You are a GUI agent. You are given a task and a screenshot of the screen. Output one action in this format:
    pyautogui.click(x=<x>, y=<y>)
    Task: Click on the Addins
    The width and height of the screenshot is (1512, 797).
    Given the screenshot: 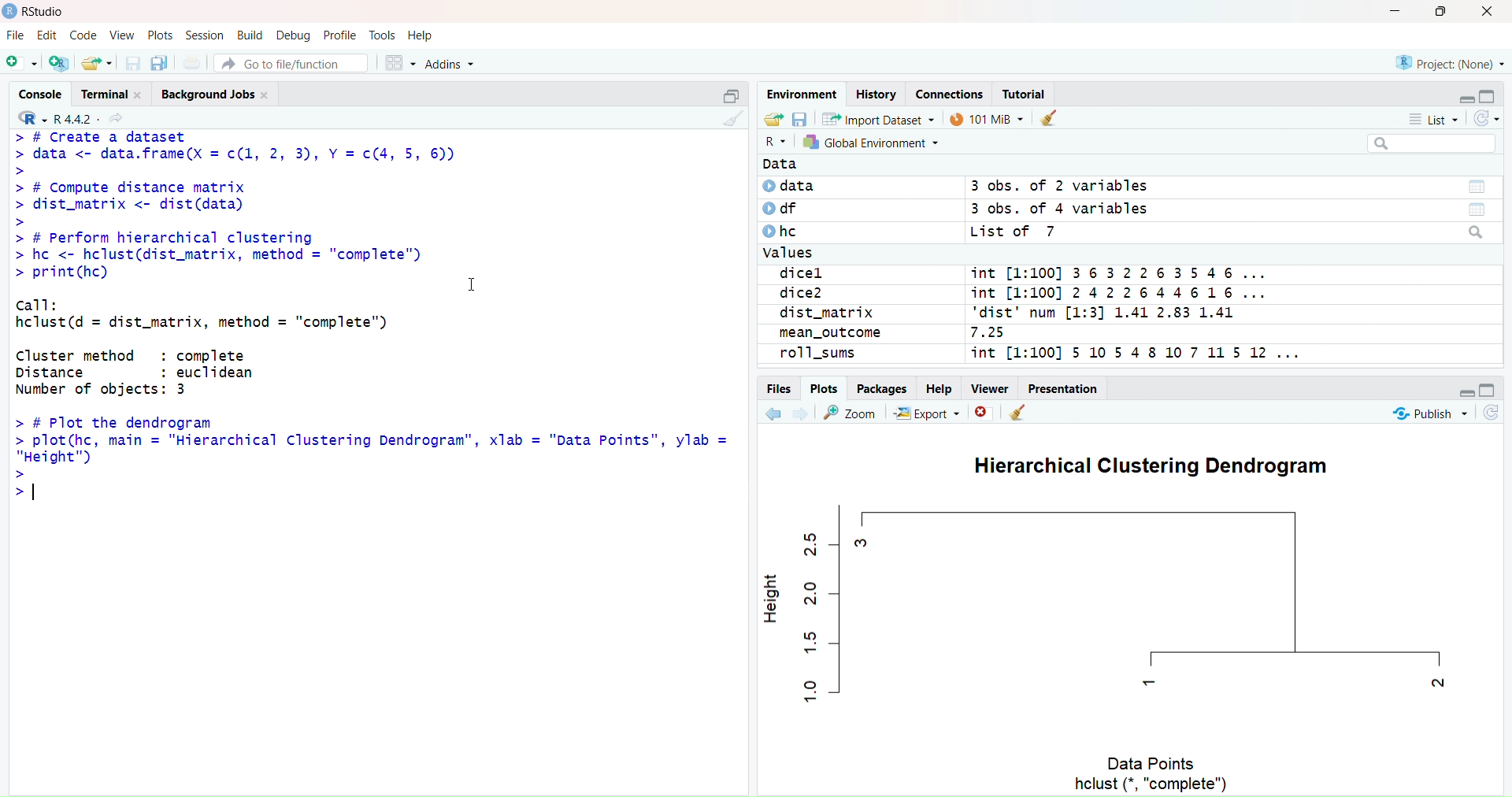 What is the action you would take?
    pyautogui.click(x=461, y=61)
    